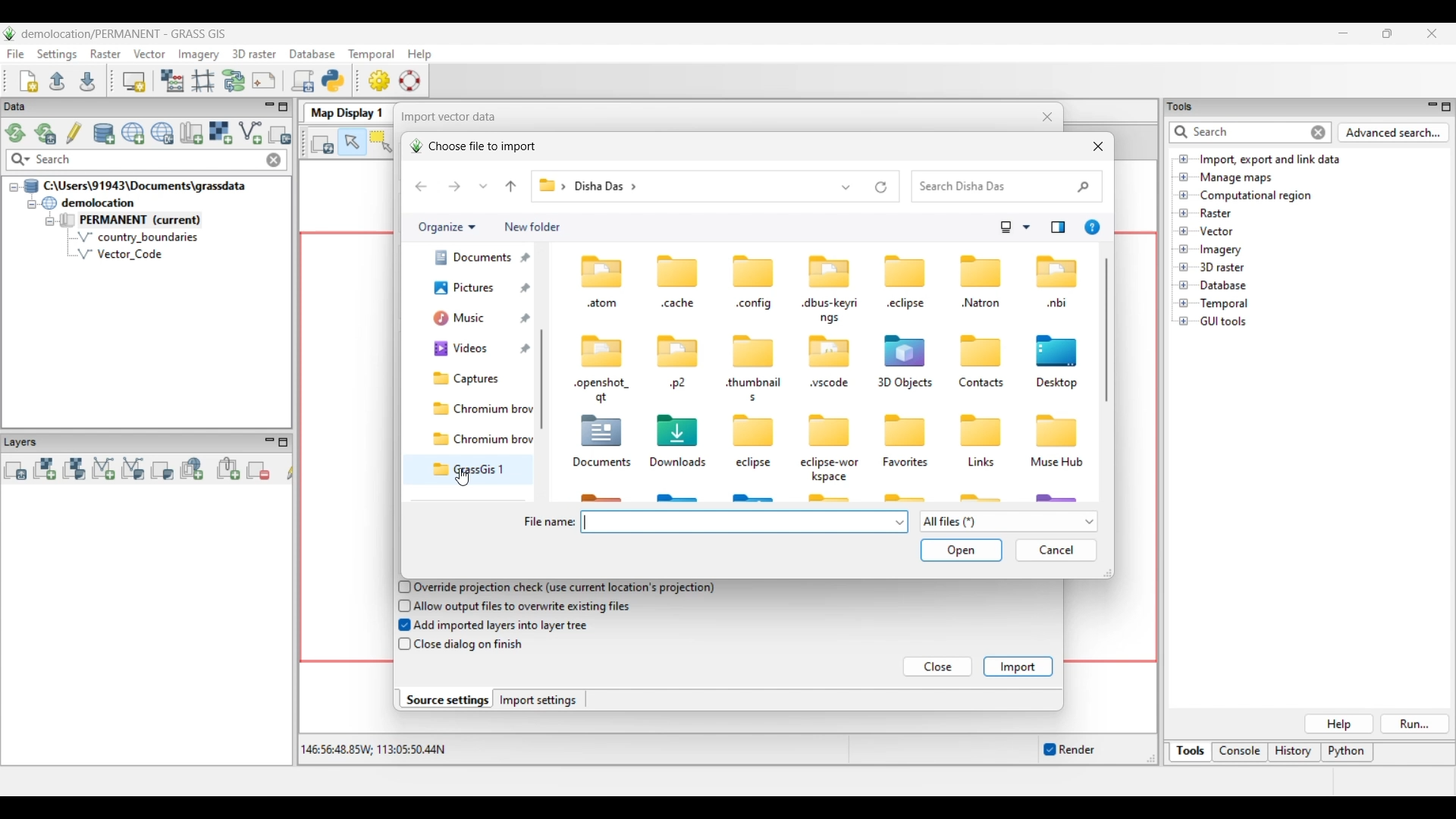 The height and width of the screenshot is (819, 1456). Describe the element at coordinates (900, 522) in the screenshot. I see `File name options` at that location.